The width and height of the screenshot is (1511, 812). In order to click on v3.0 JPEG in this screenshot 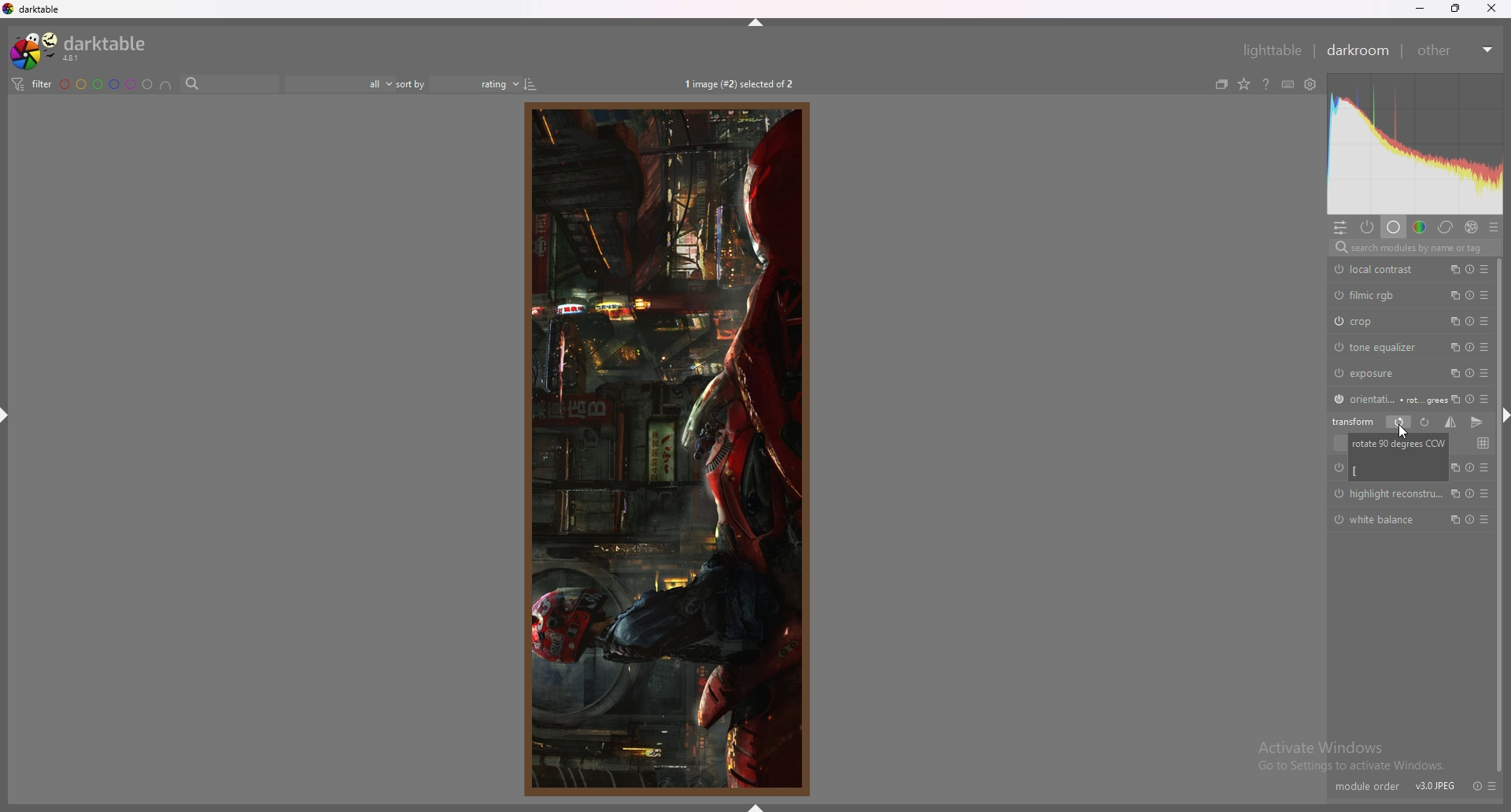, I will do `click(1434, 787)`.